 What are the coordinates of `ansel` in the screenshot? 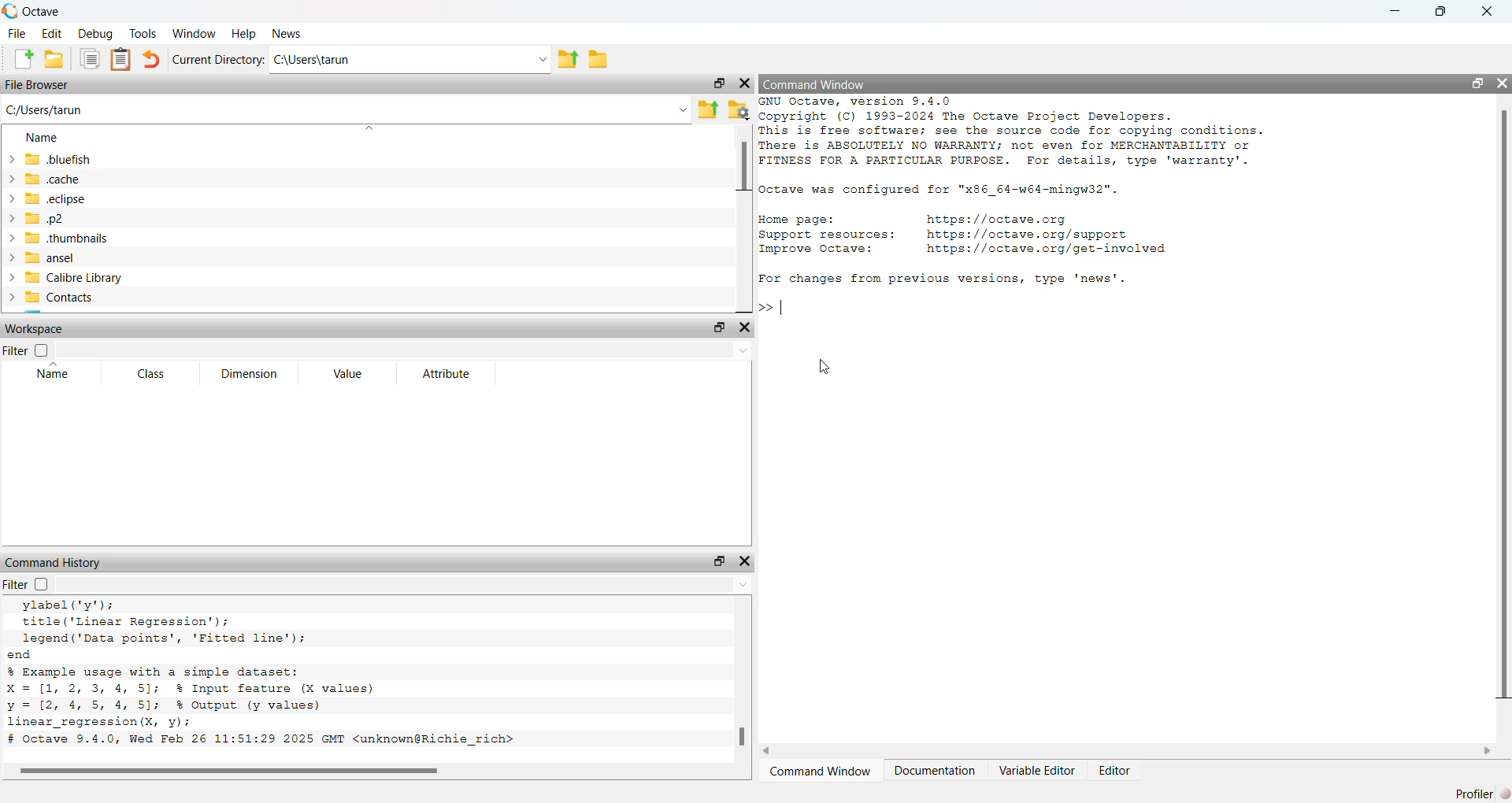 It's located at (140, 260).